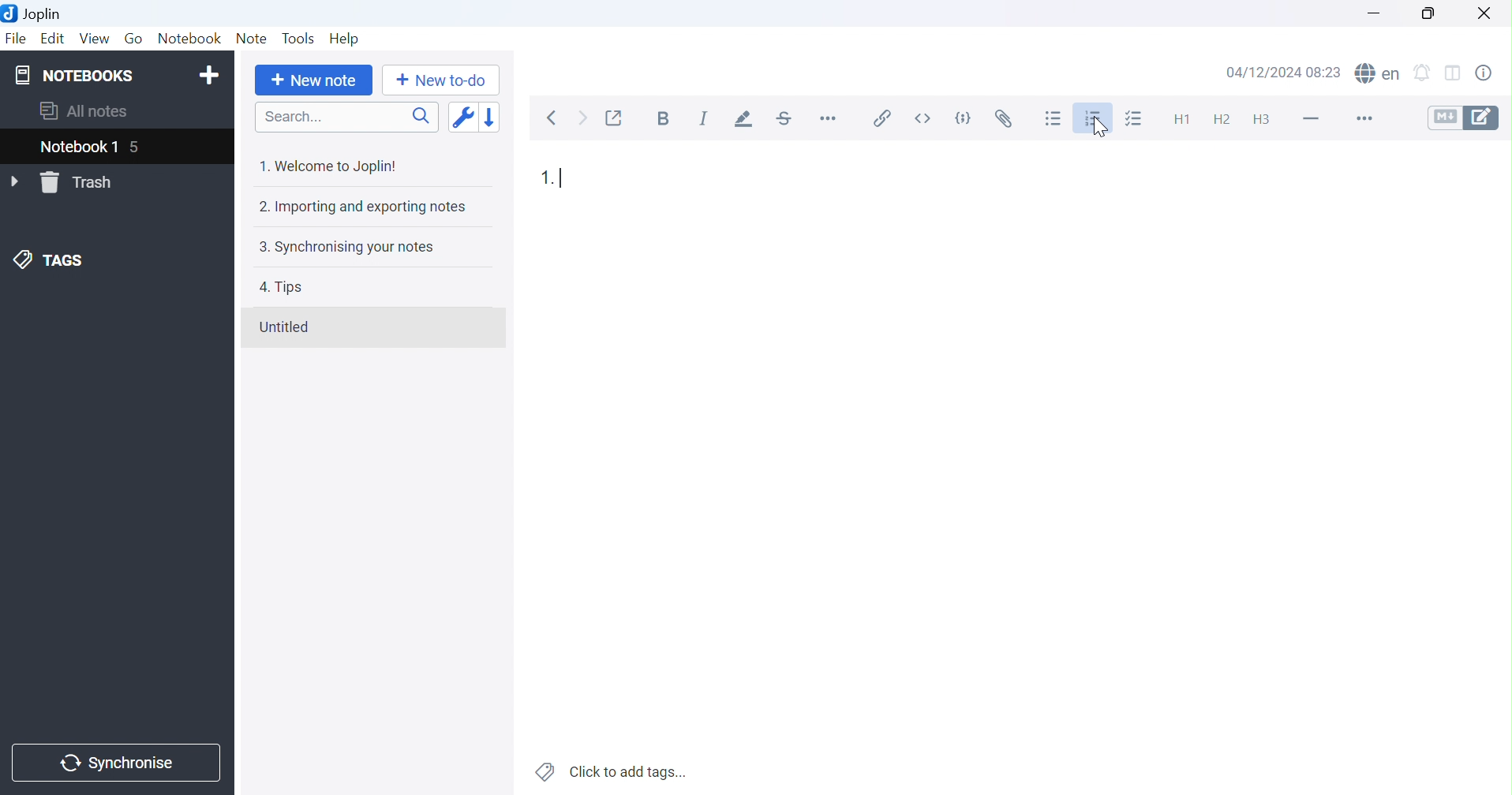 Image resolution: width=1512 pixels, height=795 pixels. I want to click on Note, so click(254, 36).